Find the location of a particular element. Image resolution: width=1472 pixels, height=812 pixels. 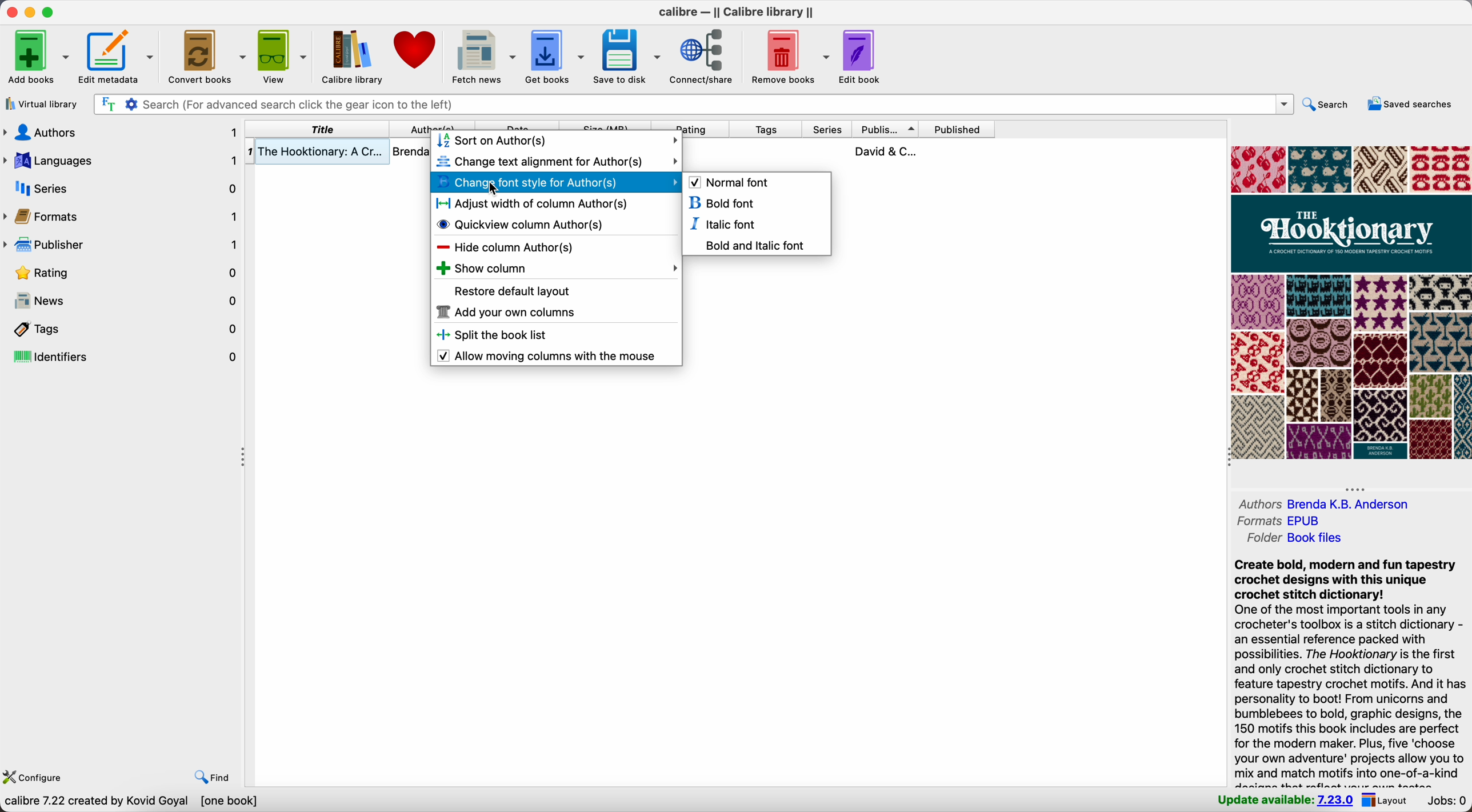

save to disk is located at coordinates (629, 54).